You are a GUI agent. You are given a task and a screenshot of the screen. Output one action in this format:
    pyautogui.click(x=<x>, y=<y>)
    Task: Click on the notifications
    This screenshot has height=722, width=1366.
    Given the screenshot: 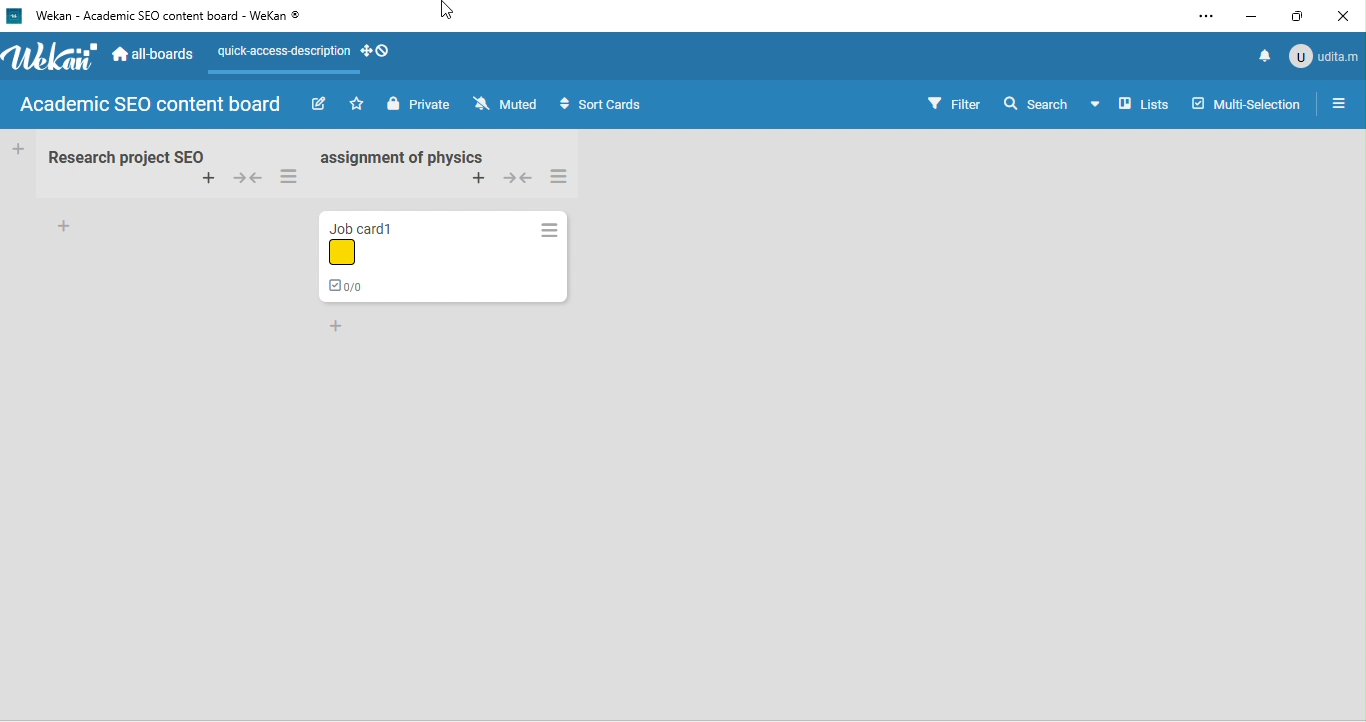 What is the action you would take?
    pyautogui.click(x=1265, y=52)
    